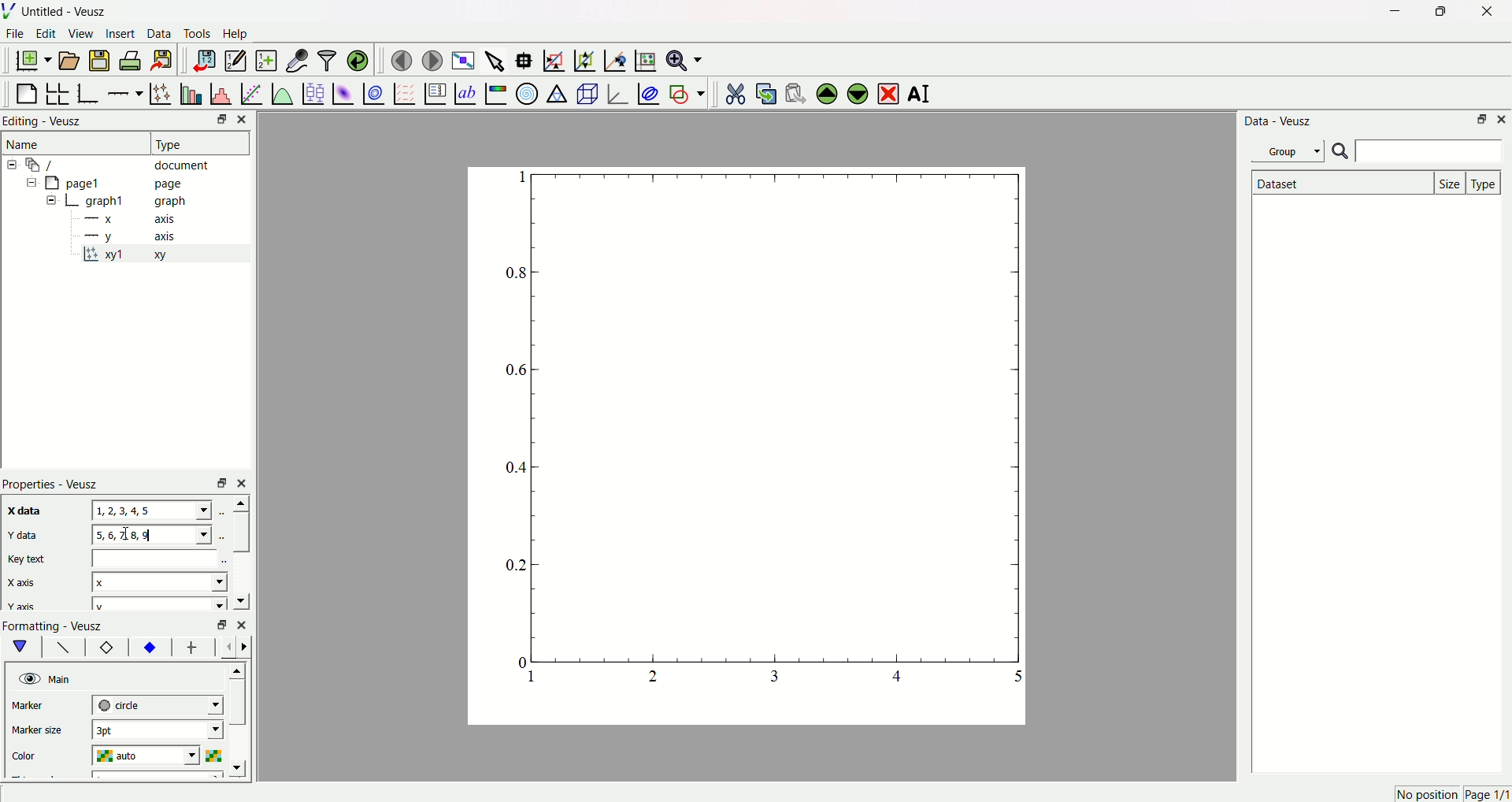 This screenshot has width=1512, height=802. I want to click on add a shape , so click(686, 93).